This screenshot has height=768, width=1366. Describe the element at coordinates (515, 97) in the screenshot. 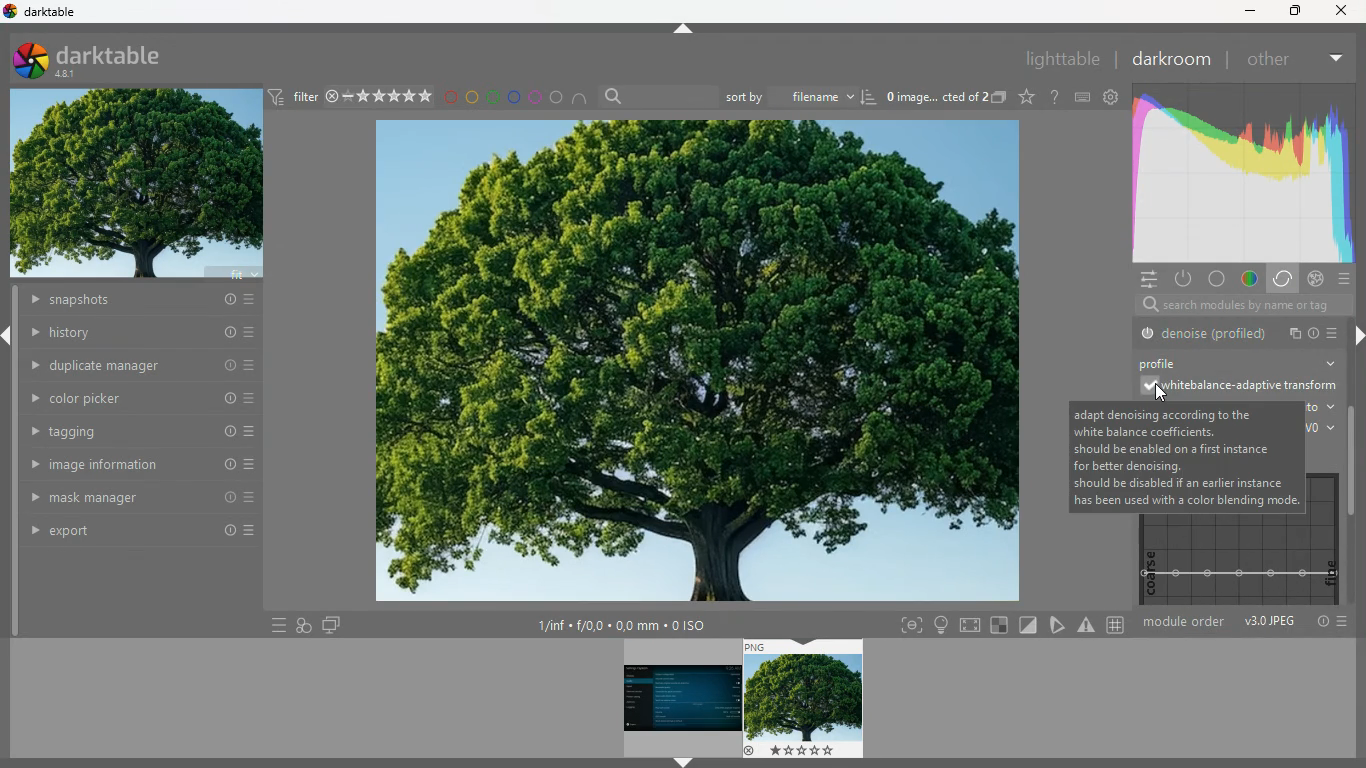

I see `blue` at that location.